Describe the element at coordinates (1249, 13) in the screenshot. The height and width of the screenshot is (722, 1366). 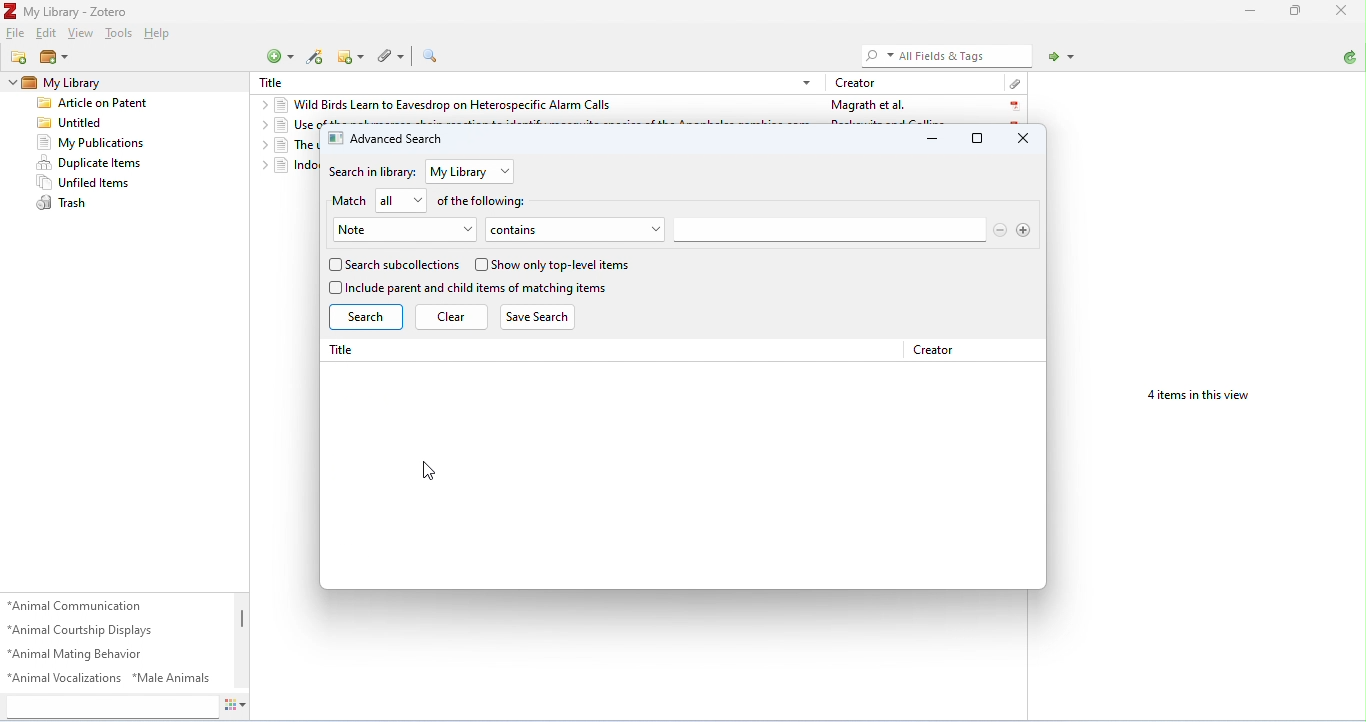
I see `minimize` at that location.